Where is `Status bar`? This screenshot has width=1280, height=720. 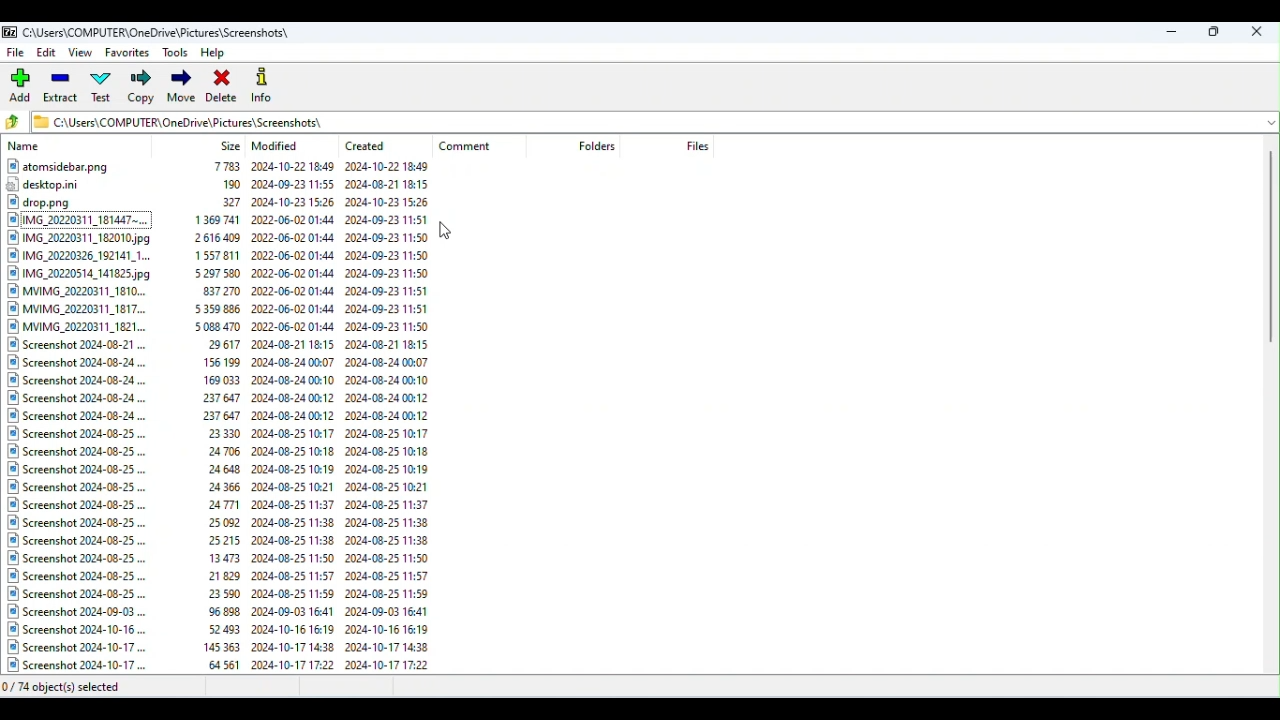
Status bar is located at coordinates (642, 686).